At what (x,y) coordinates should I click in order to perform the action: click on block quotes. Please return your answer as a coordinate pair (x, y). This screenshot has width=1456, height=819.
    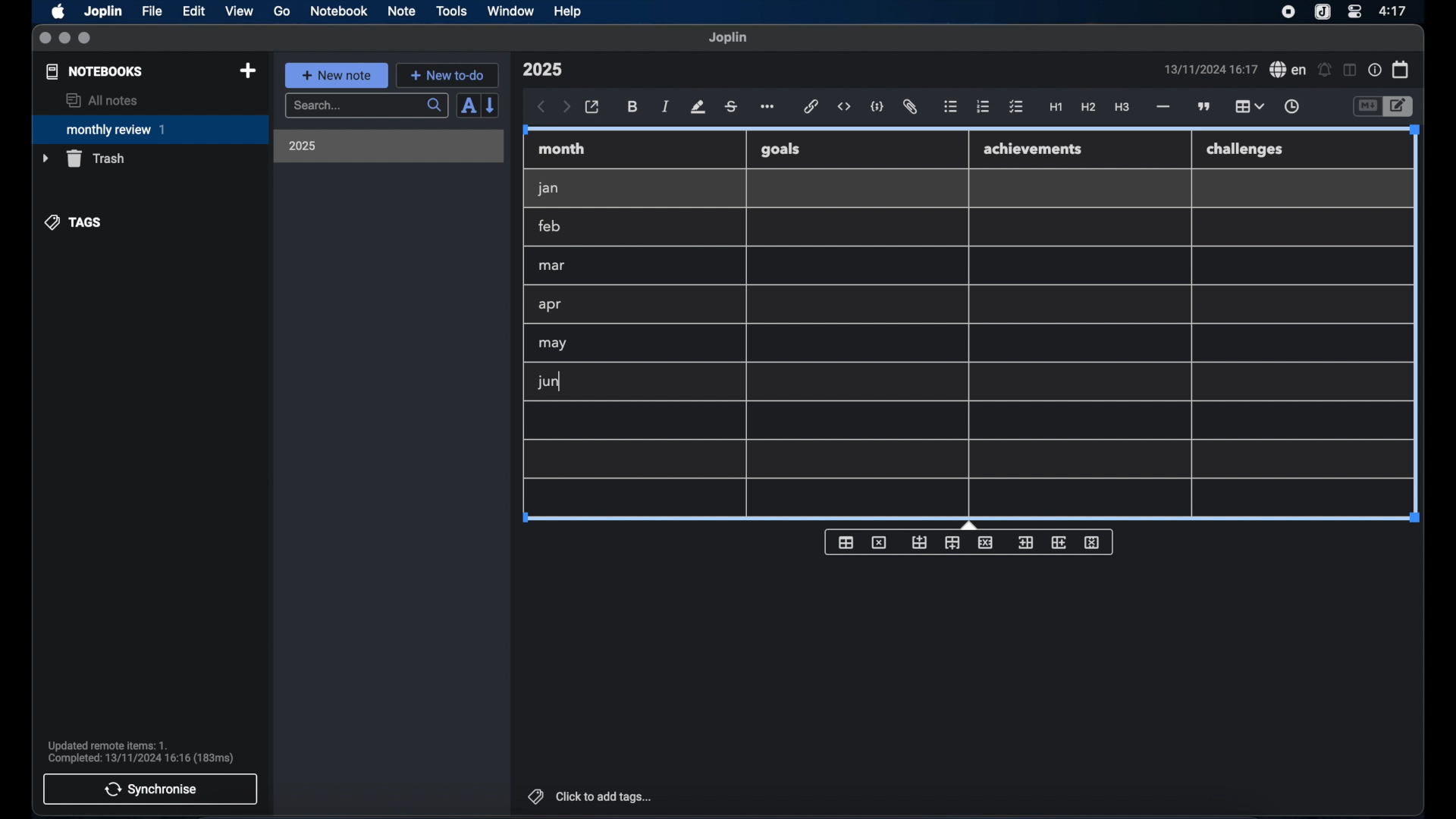
    Looking at the image, I should click on (1205, 107).